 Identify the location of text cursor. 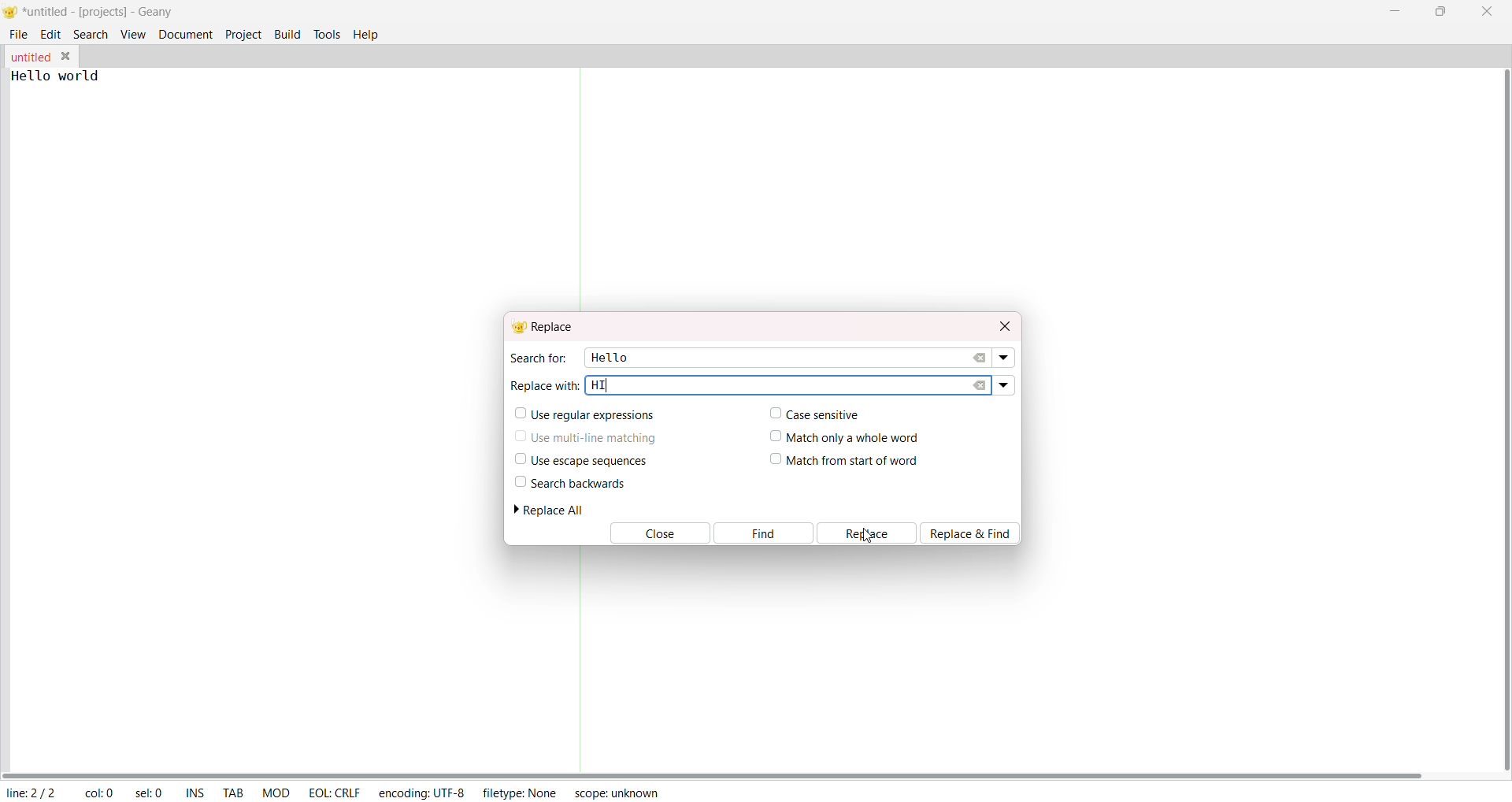
(606, 388).